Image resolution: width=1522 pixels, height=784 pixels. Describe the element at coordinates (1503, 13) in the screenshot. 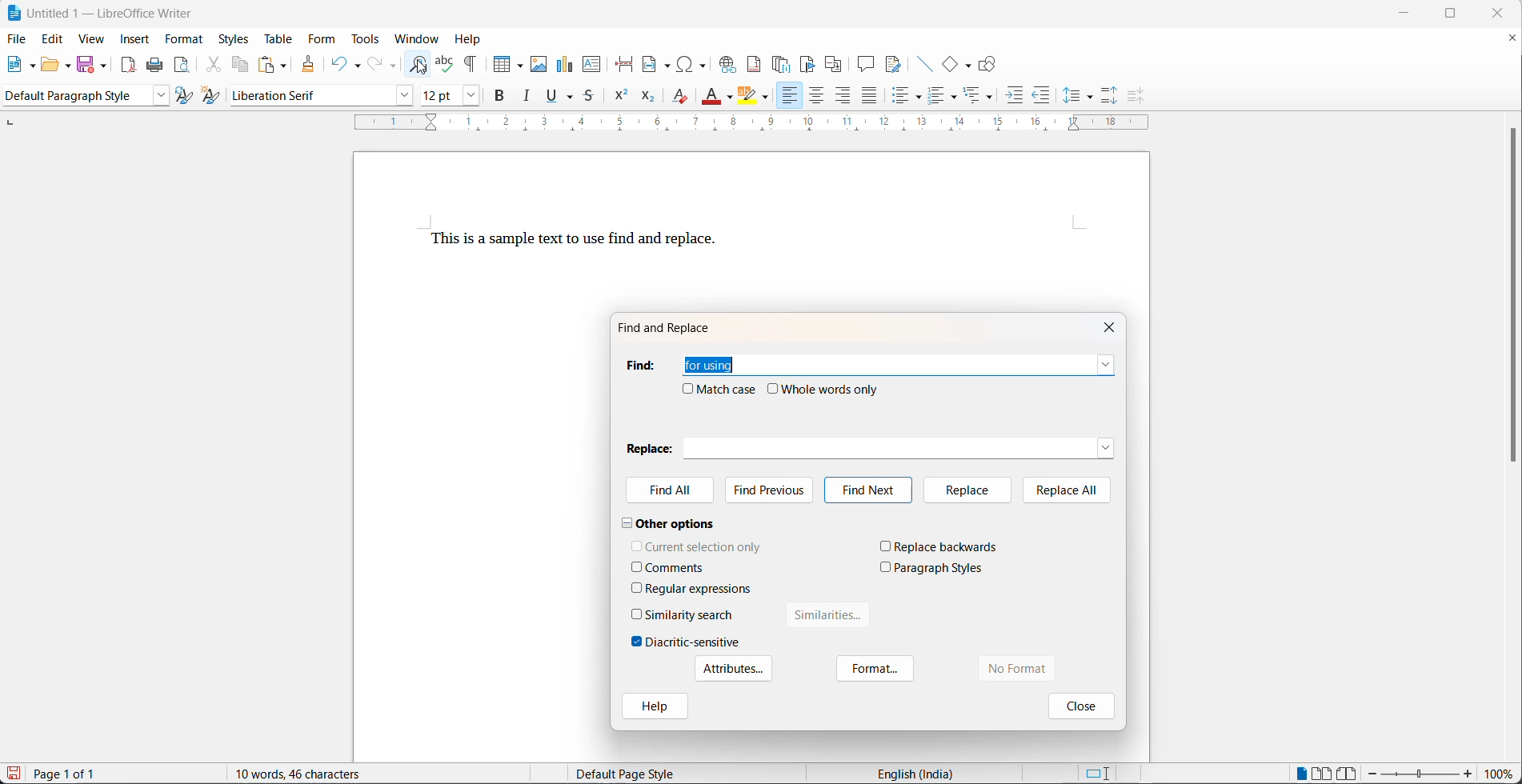

I see `close` at that location.